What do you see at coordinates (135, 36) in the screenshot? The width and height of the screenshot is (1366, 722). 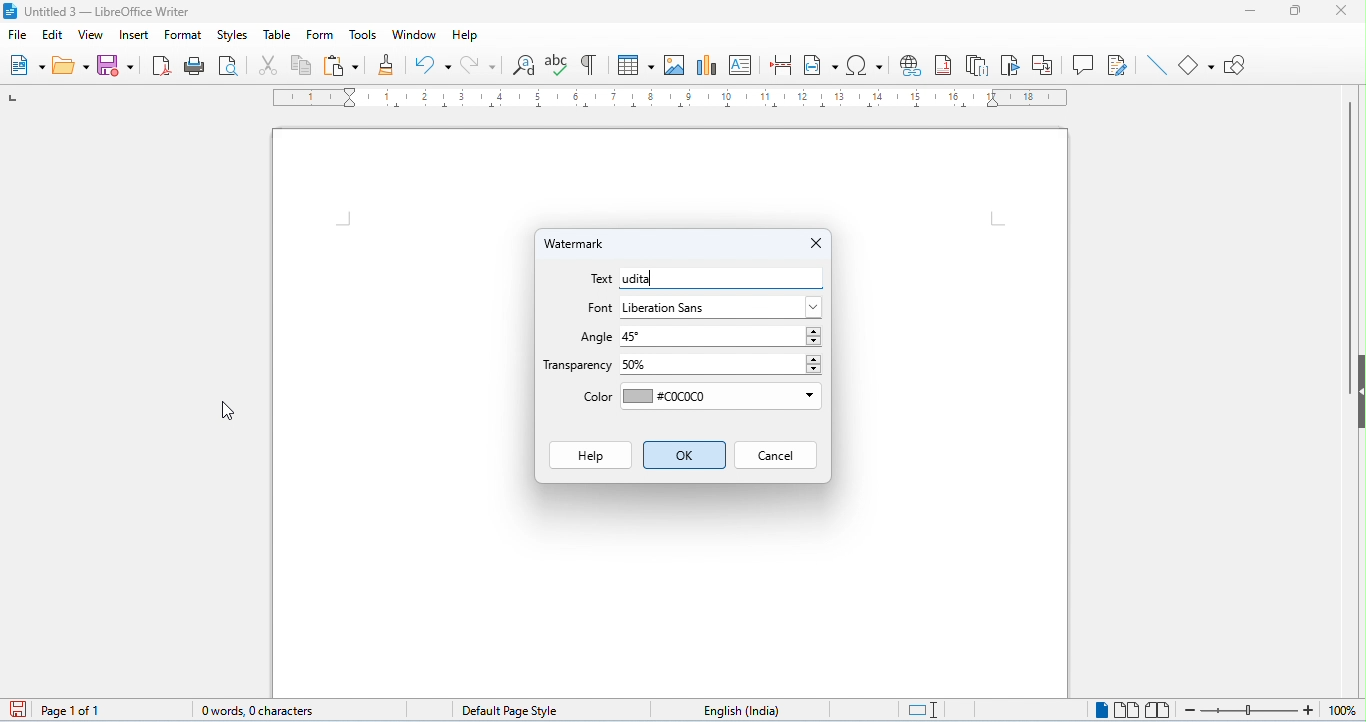 I see `insert` at bounding box center [135, 36].